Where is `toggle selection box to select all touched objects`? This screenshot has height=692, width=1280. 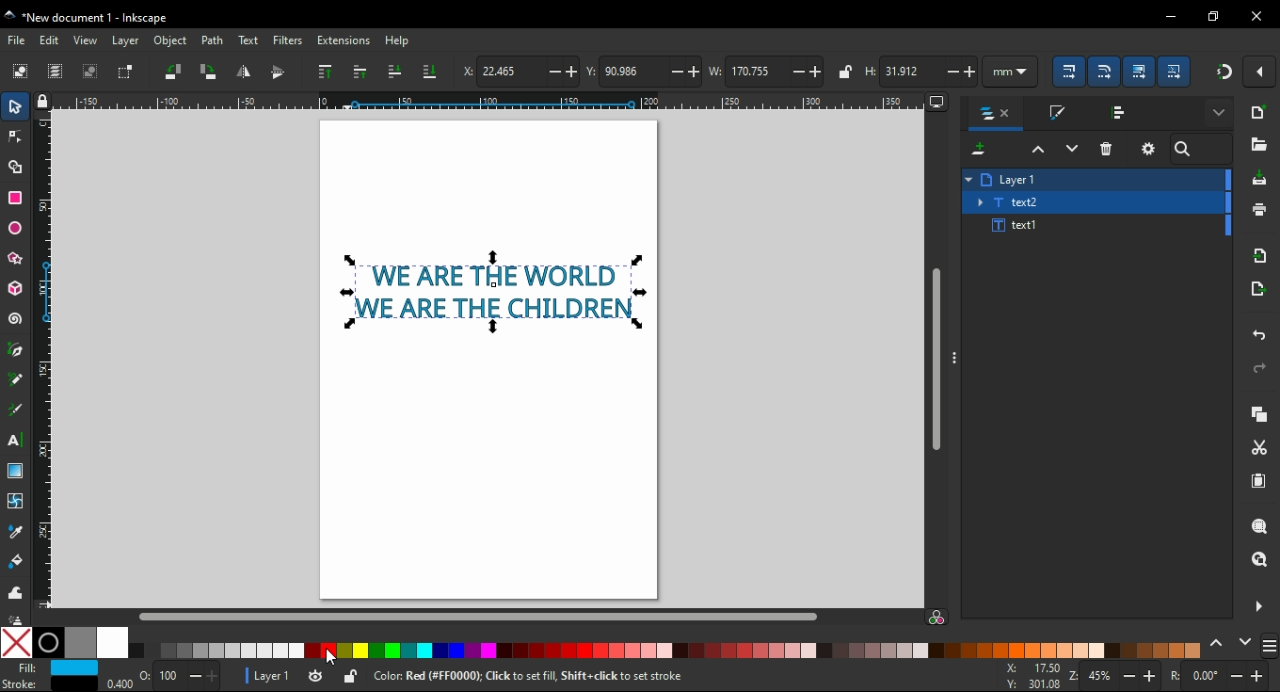
toggle selection box to select all touched objects is located at coordinates (128, 73).